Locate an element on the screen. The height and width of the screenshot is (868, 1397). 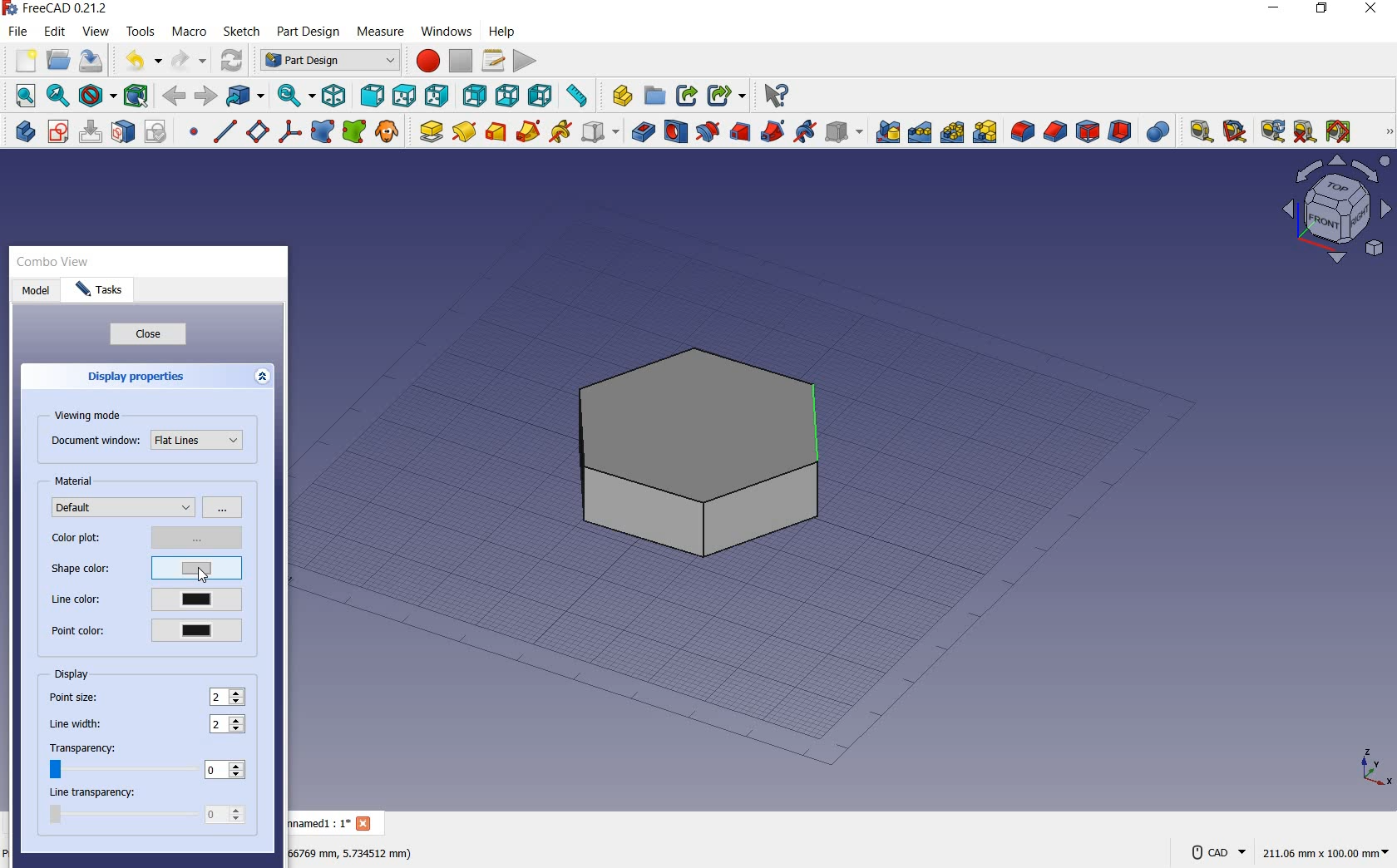
clear all is located at coordinates (1305, 132).